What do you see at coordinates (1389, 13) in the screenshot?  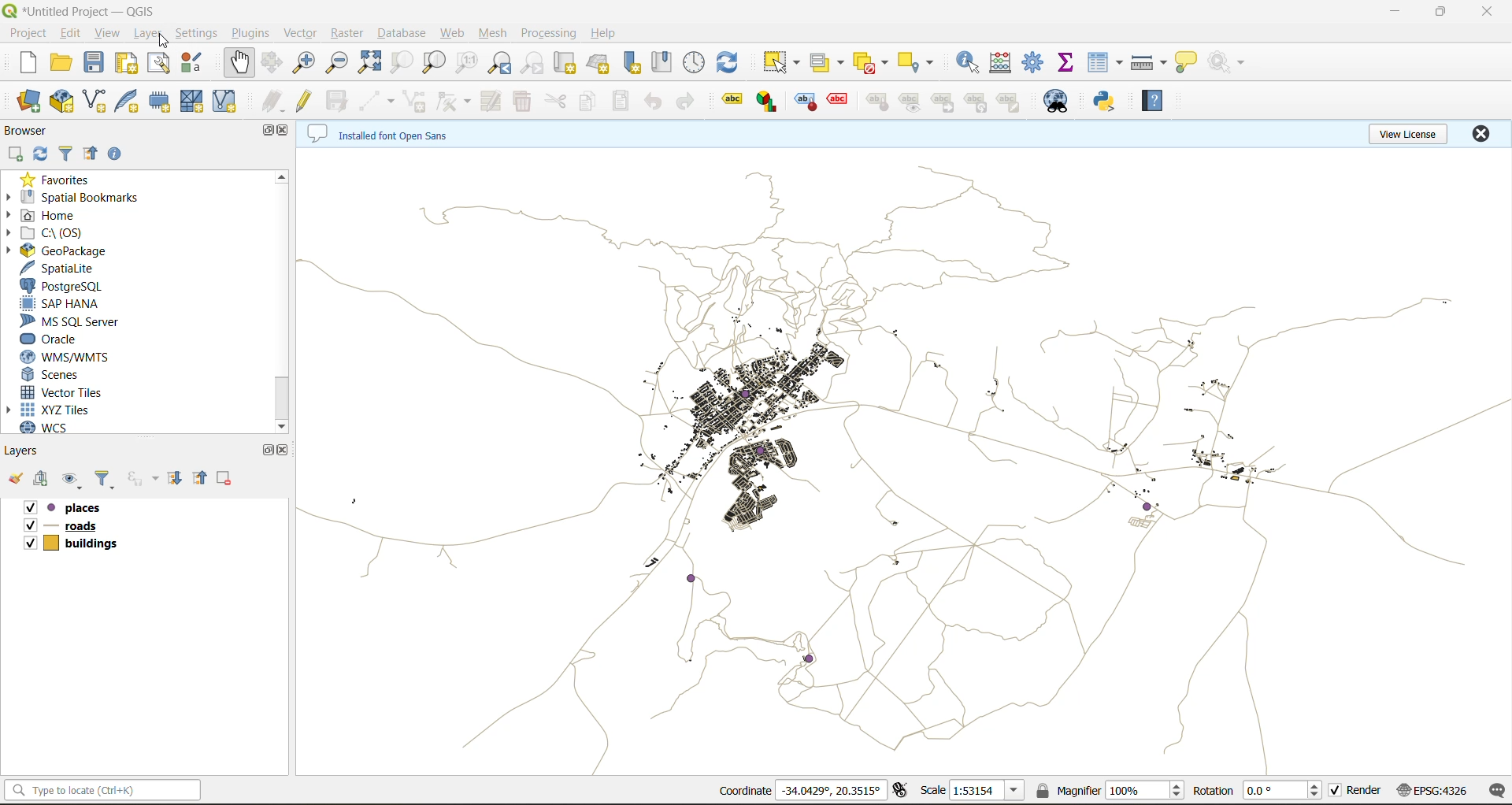 I see `minimize` at bounding box center [1389, 13].